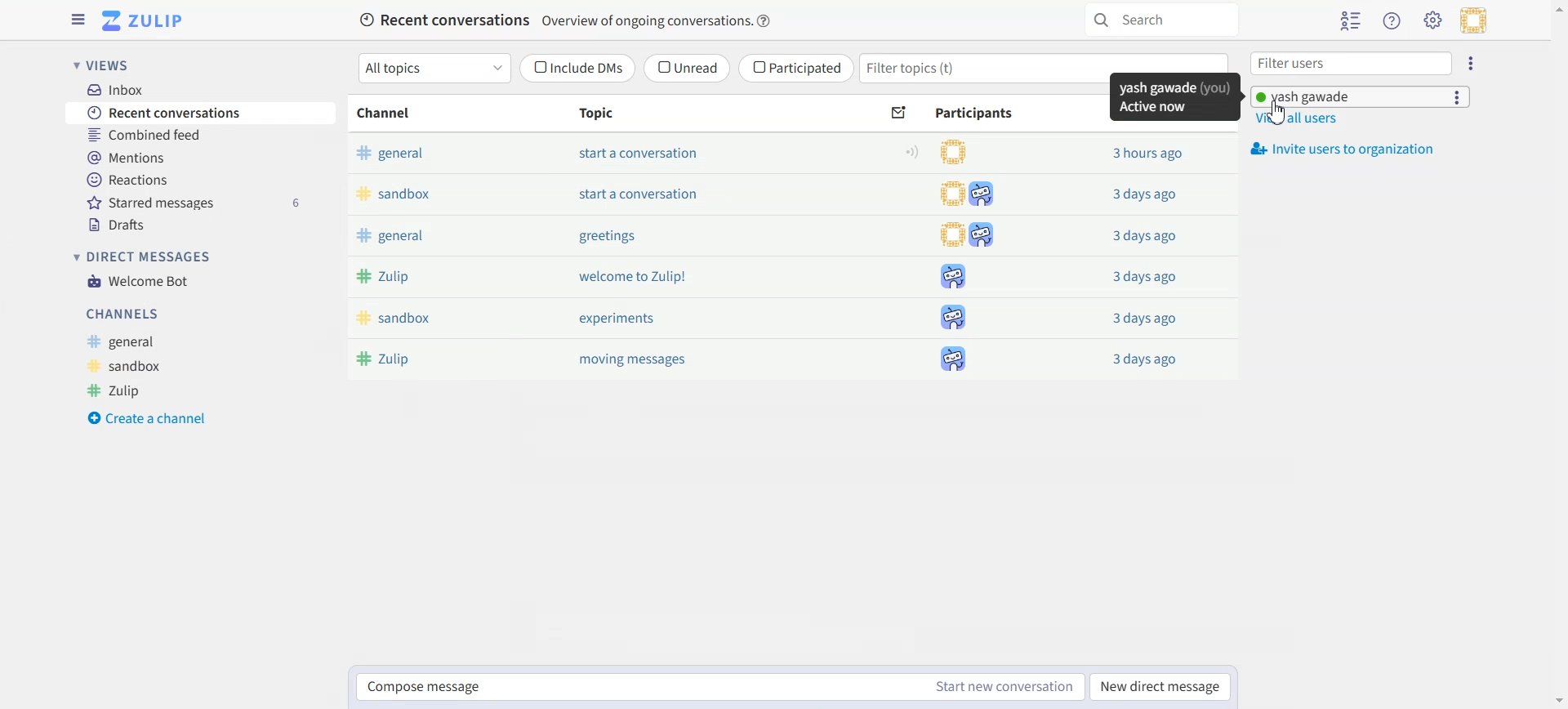 This screenshot has width=1568, height=709. What do you see at coordinates (611, 237) in the screenshot?
I see `greetings` at bounding box center [611, 237].